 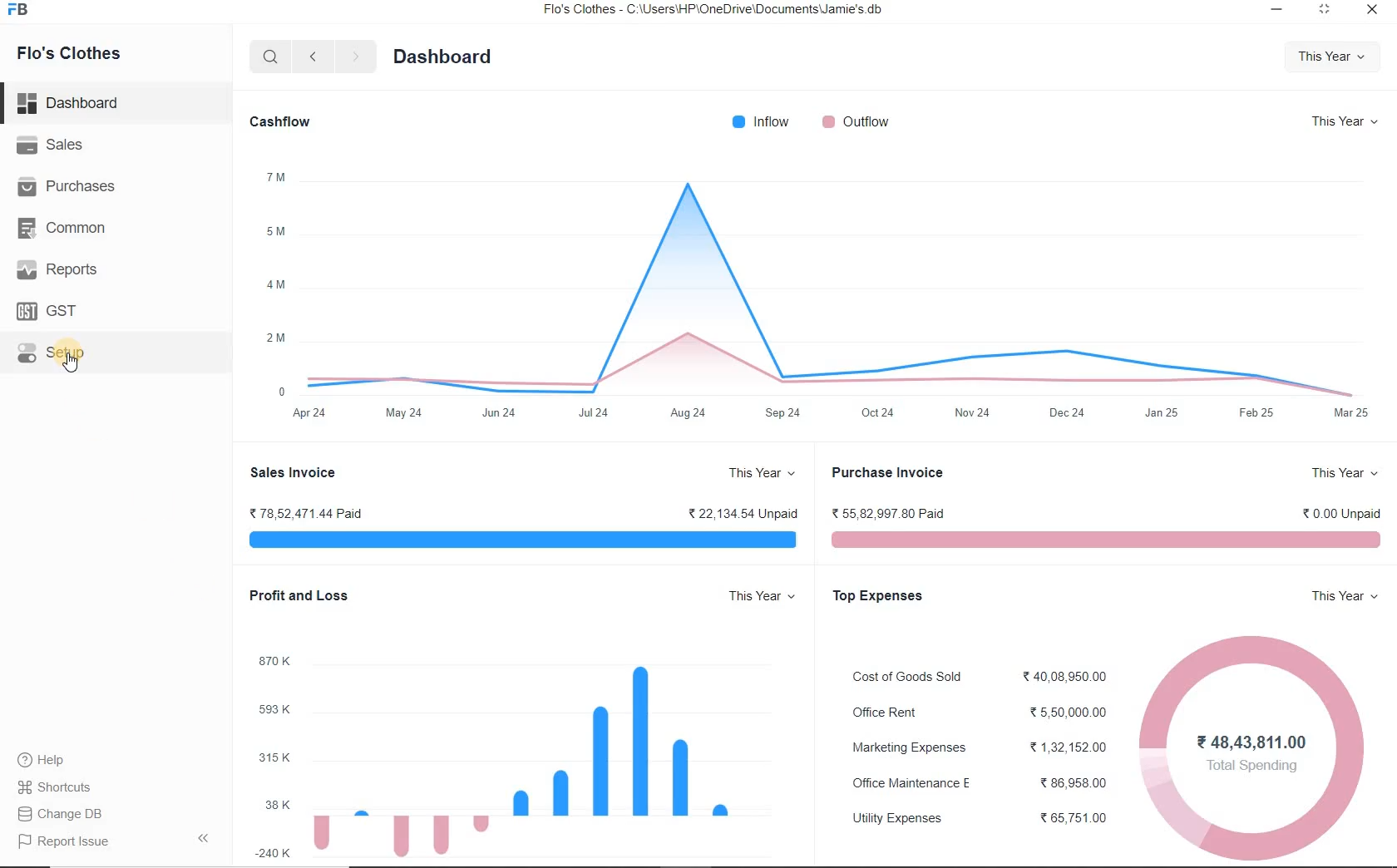 I want to click on 38 k, so click(x=279, y=804).